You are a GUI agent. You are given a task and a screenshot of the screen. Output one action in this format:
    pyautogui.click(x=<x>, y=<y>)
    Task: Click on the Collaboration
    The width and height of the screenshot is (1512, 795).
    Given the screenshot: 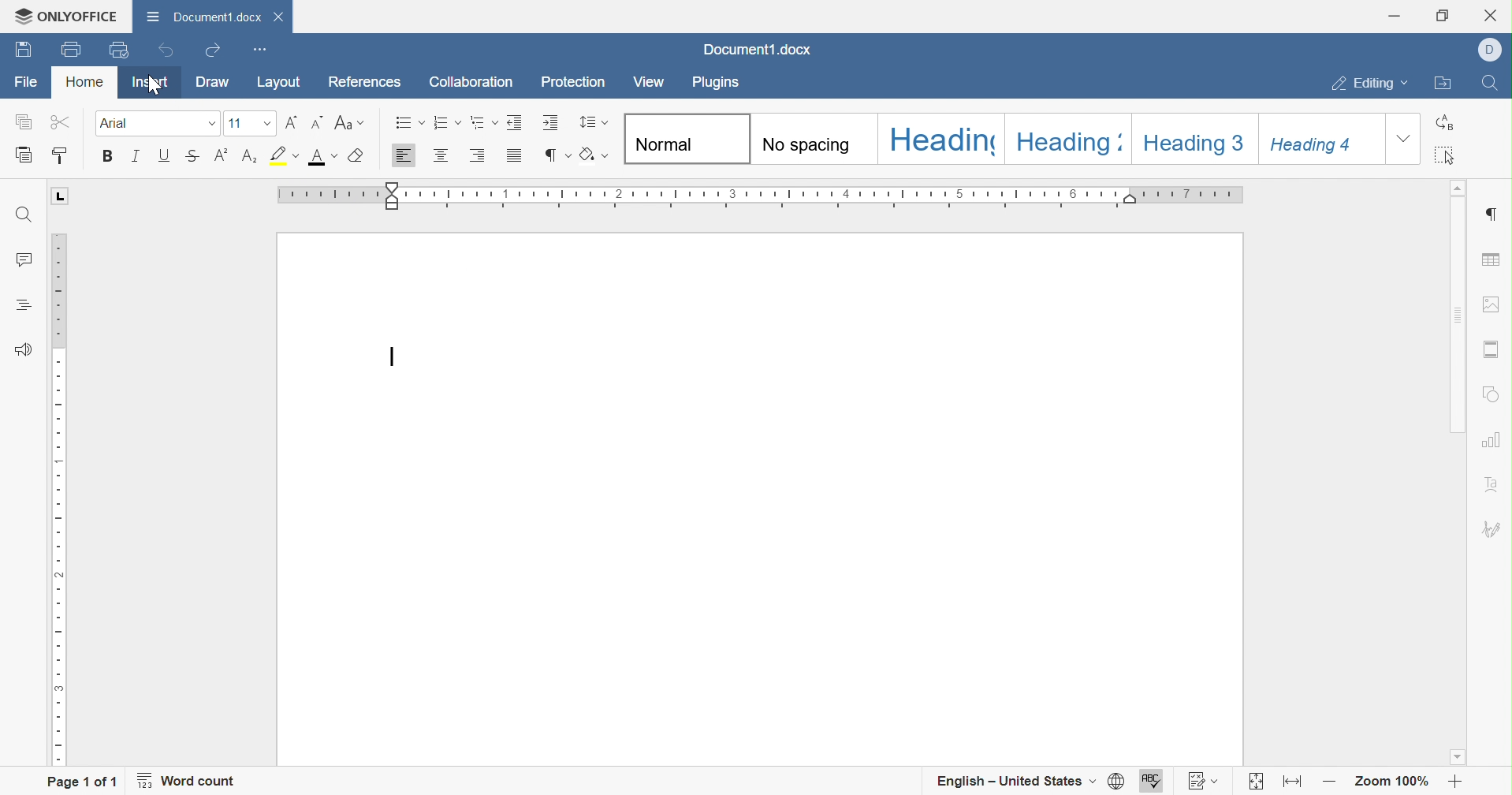 What is the action you would take?
    pyautogui.click(x=470, y=81)
    